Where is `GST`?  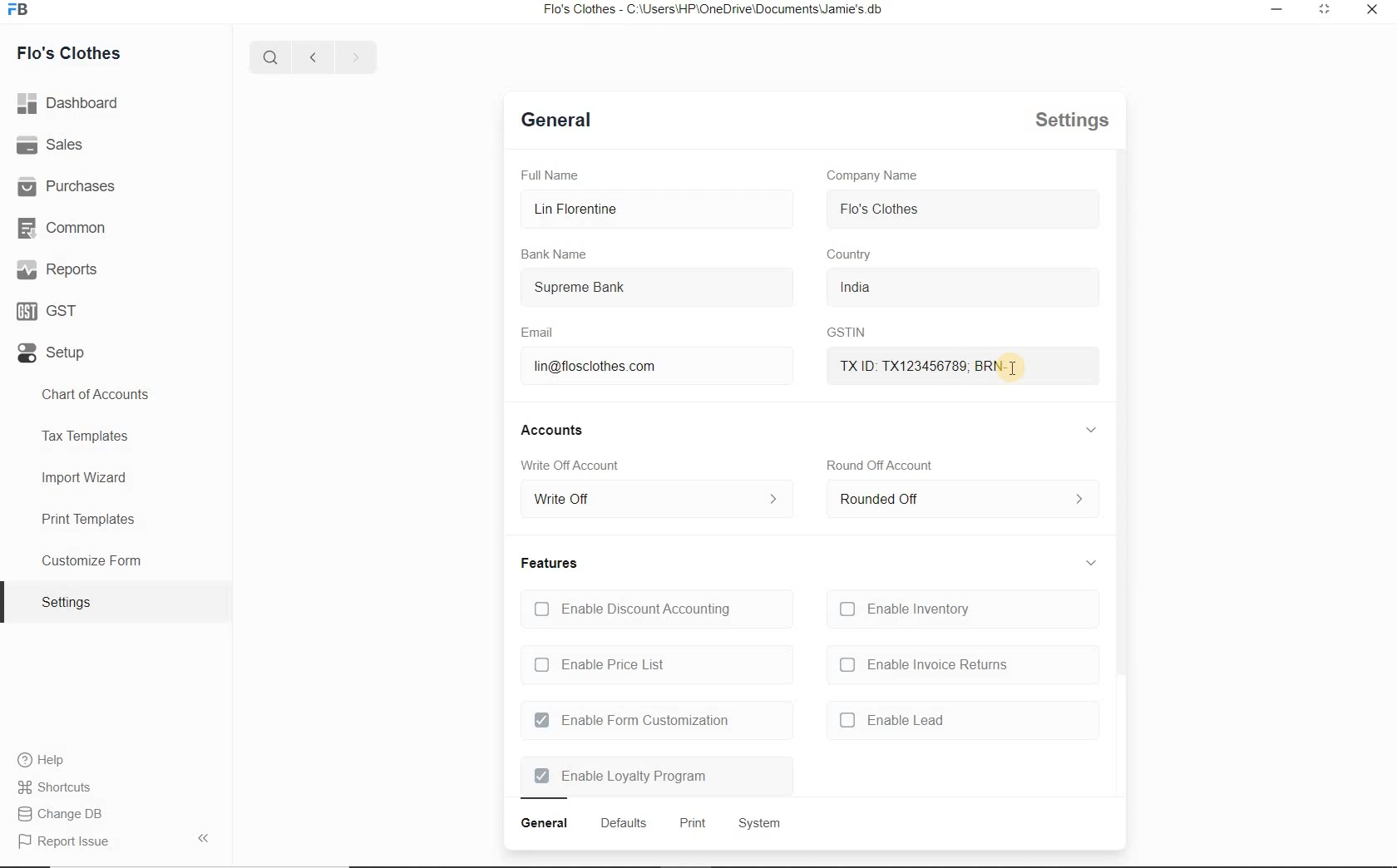
GST is located at coordinates (50, 311).